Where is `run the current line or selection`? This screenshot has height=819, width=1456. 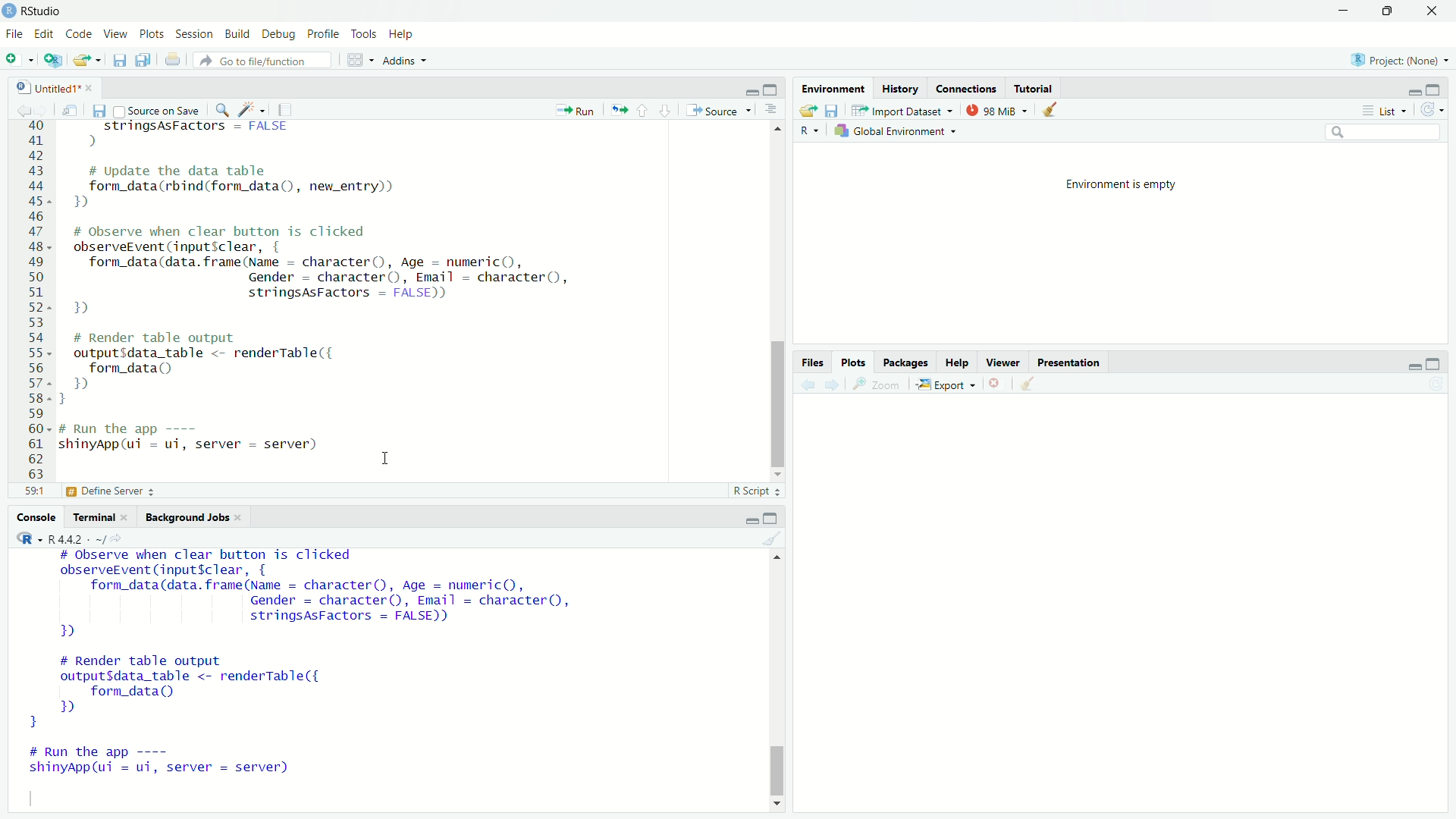
run the current line or selection is located at coordinates (573, 108).